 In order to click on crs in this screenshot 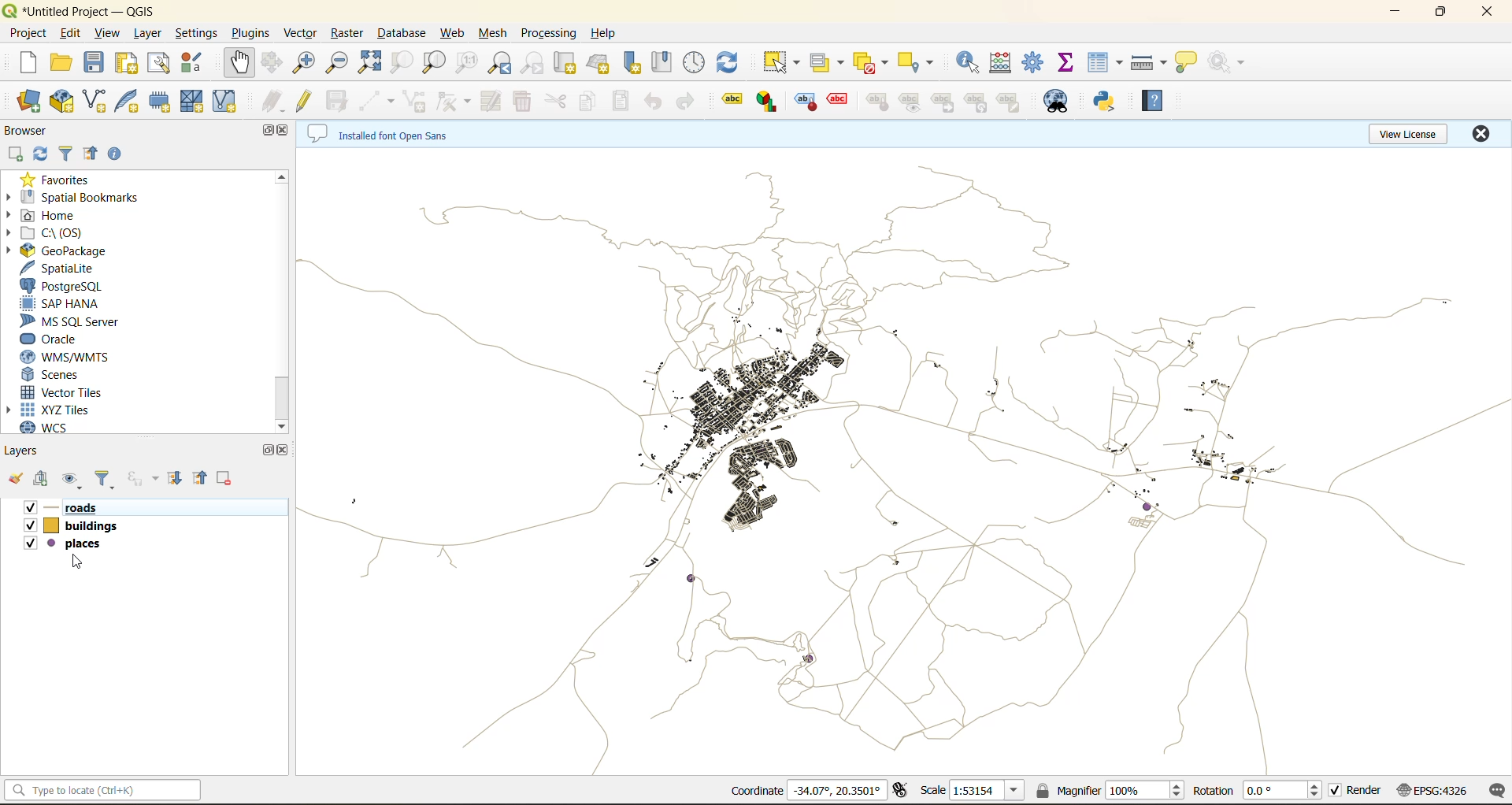, I will do `click(1430, 791)`.